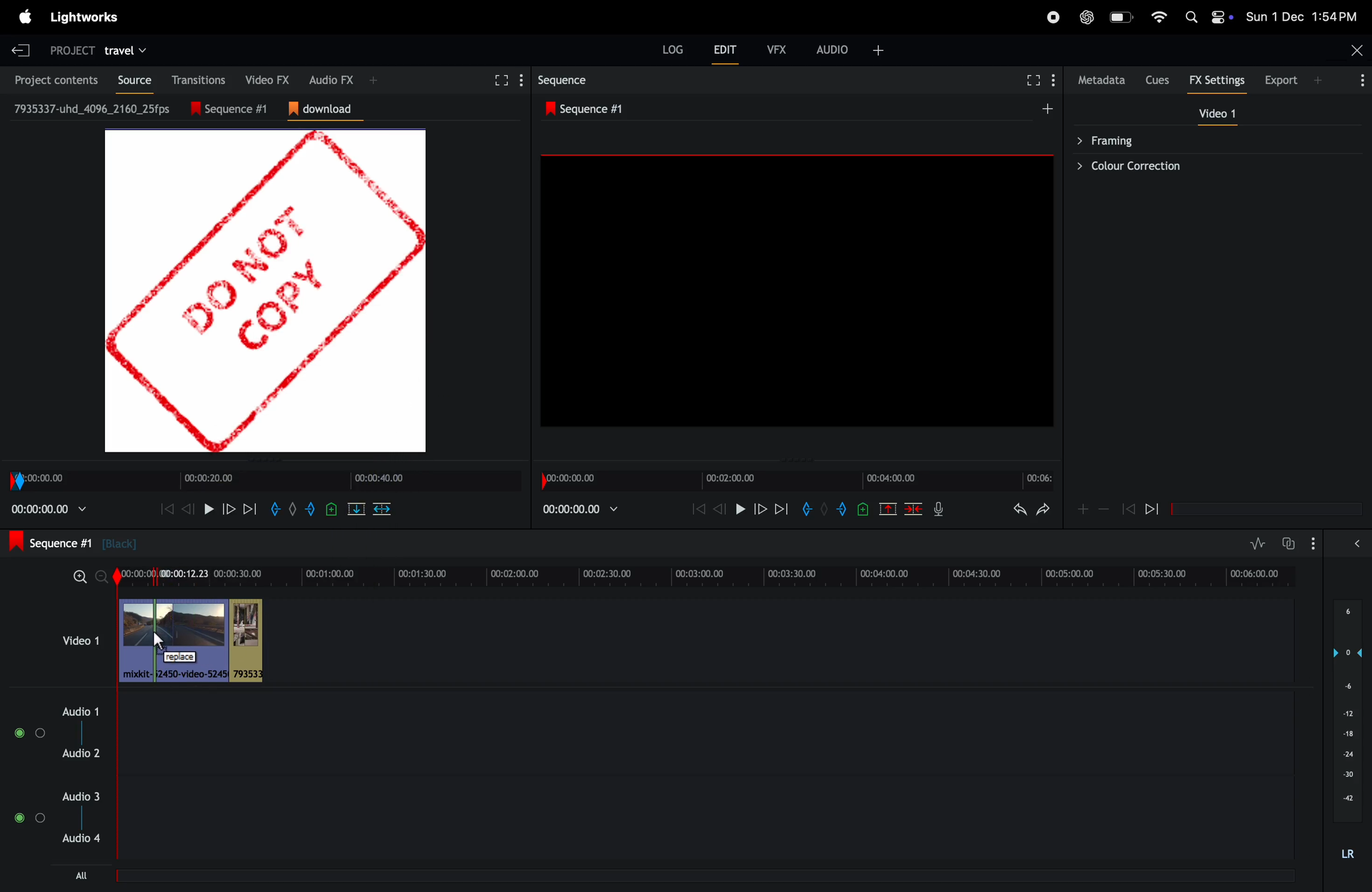  What do you see at coordinates (589, 109) in the screenshot?
I see `sequence #1` at bounding box center [589, 109].